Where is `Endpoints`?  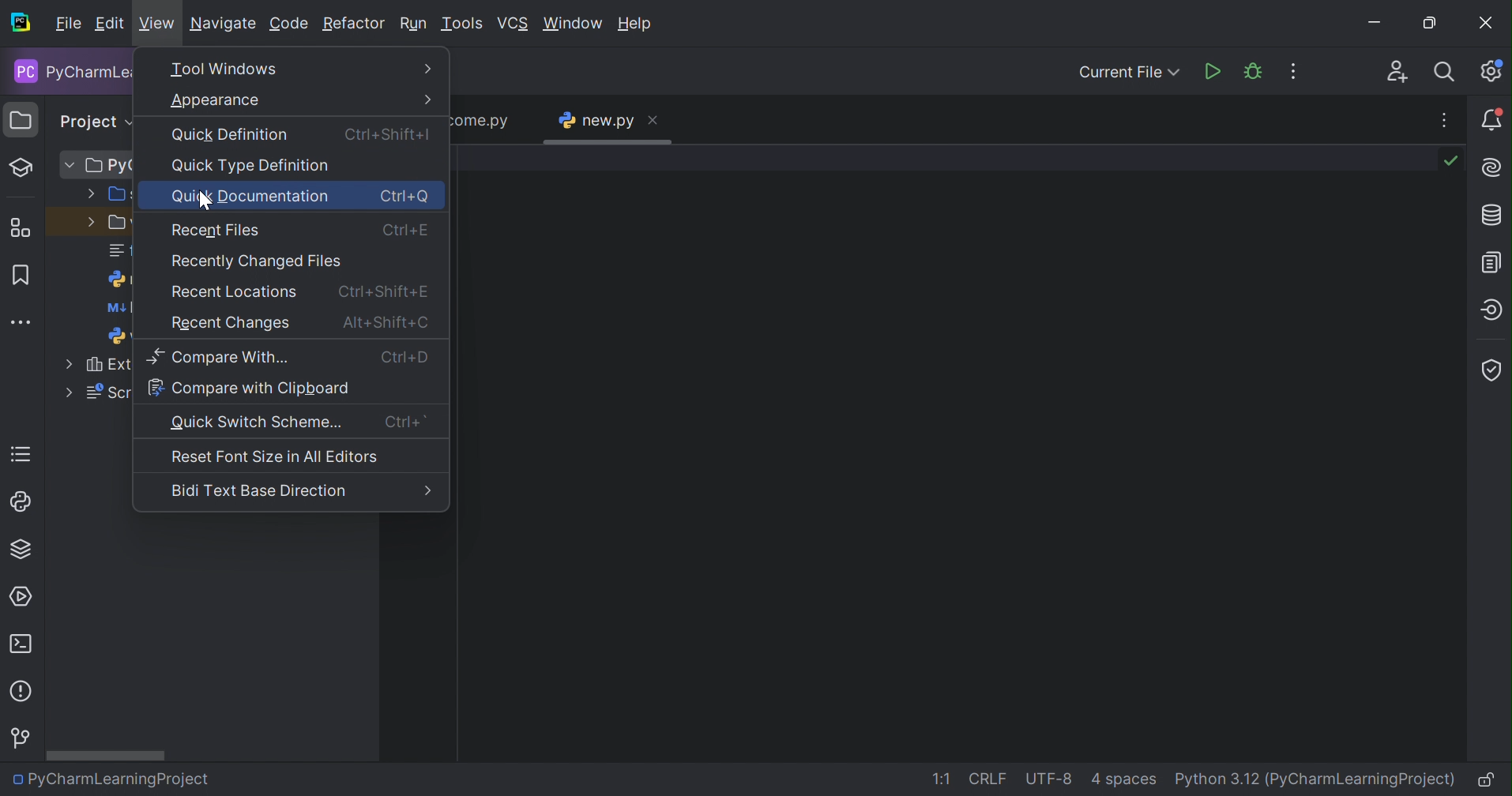
Endpoints is located at coordinates (1491, 310).